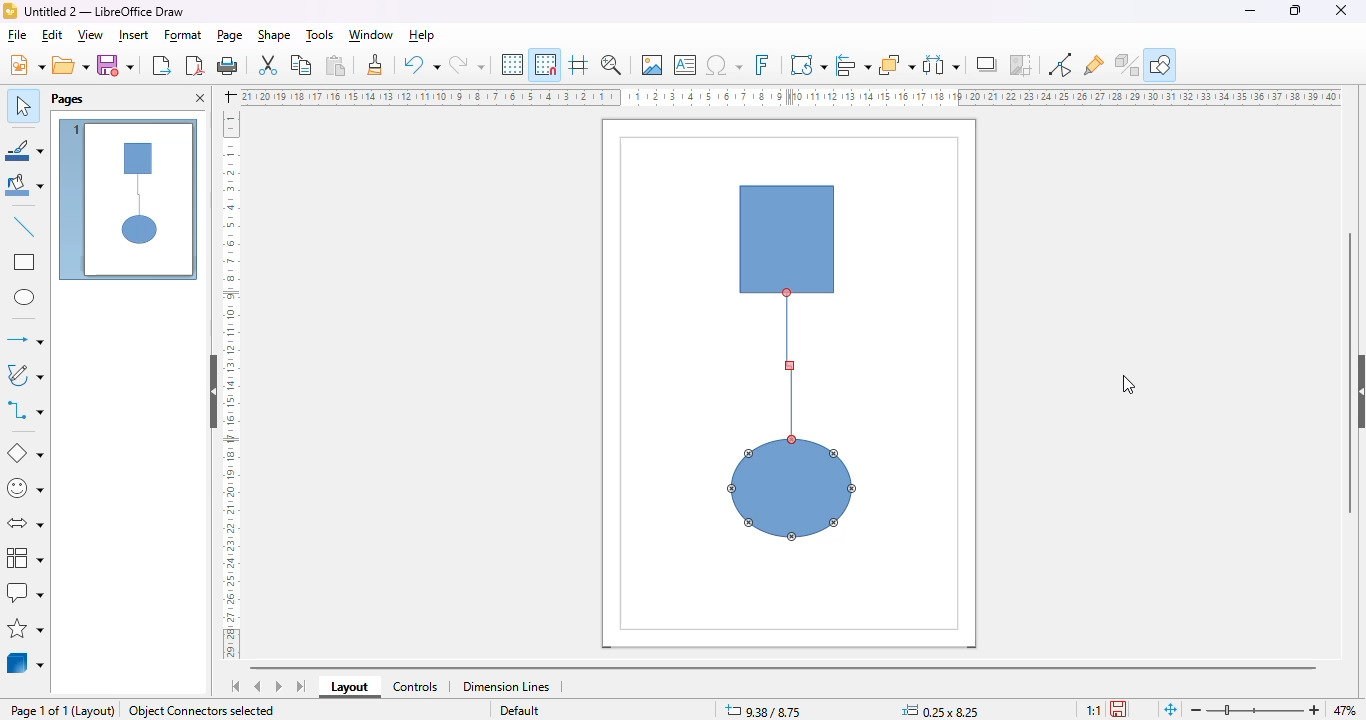  I want to click on view, so click(91, 35).